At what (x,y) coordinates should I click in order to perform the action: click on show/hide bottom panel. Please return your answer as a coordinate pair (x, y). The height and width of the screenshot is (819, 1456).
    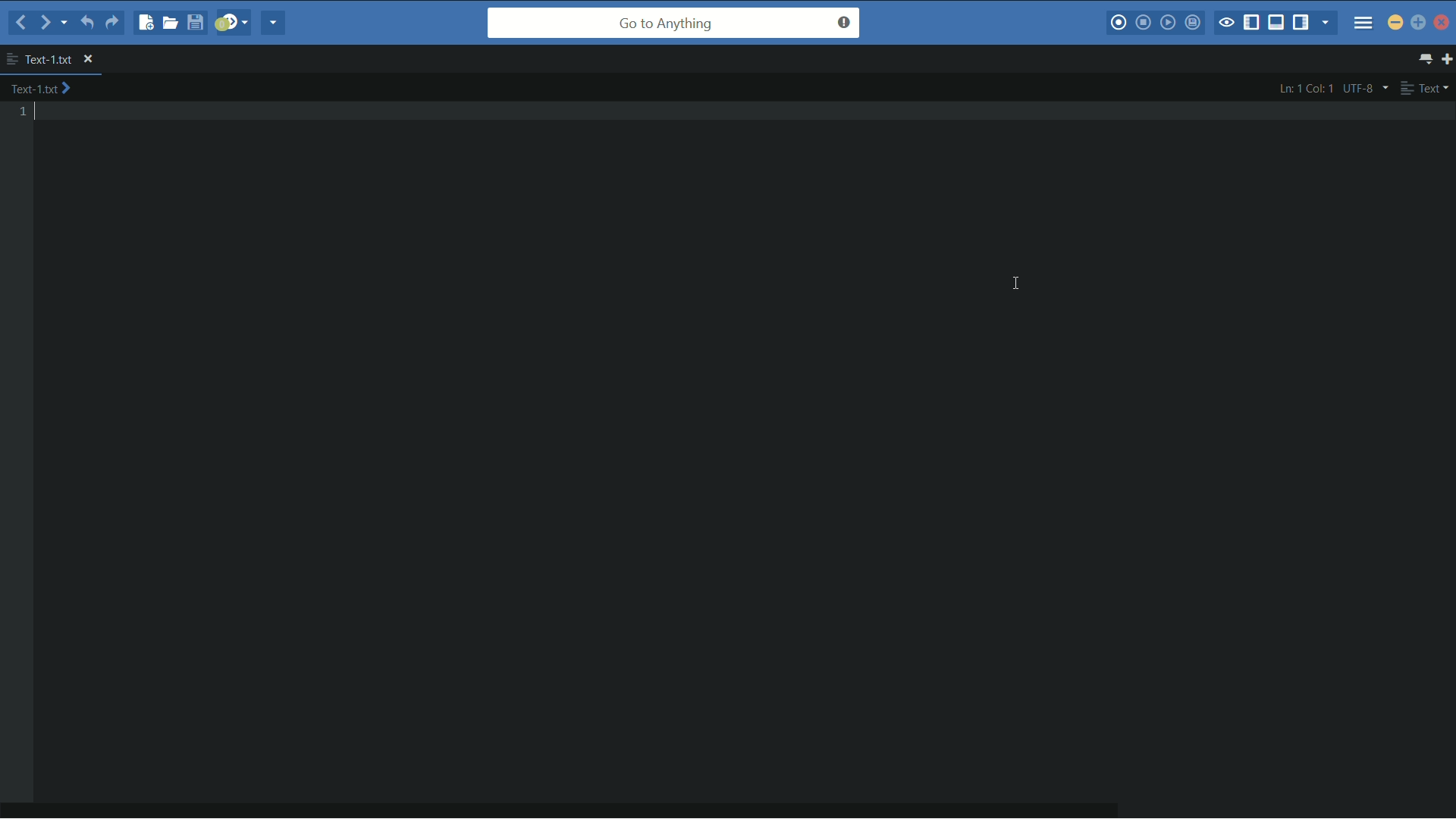
    Looking at the image, I should click on (1276, 24).